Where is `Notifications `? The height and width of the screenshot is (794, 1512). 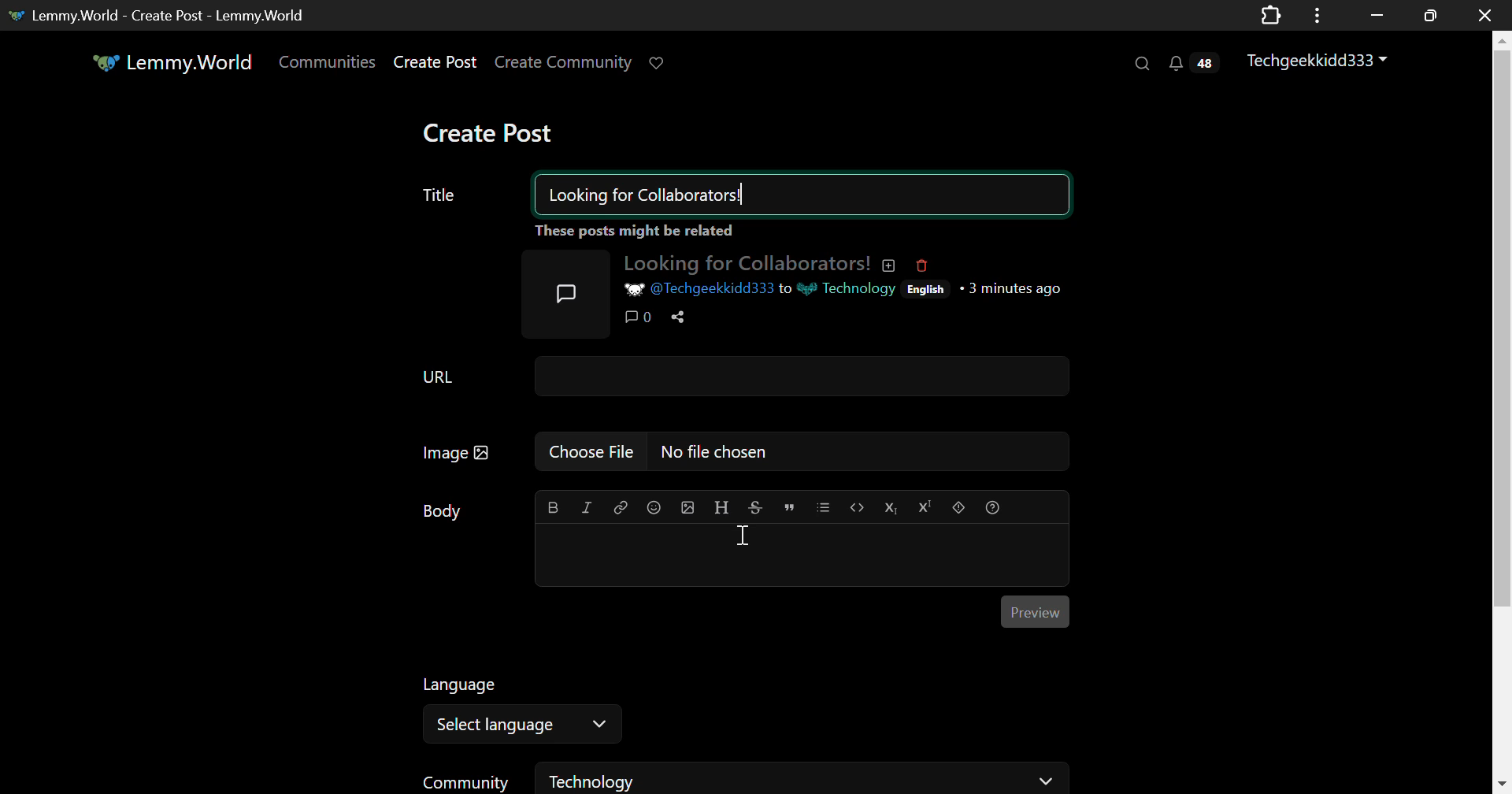 Notifications  is located at coordinates (1191, 65).